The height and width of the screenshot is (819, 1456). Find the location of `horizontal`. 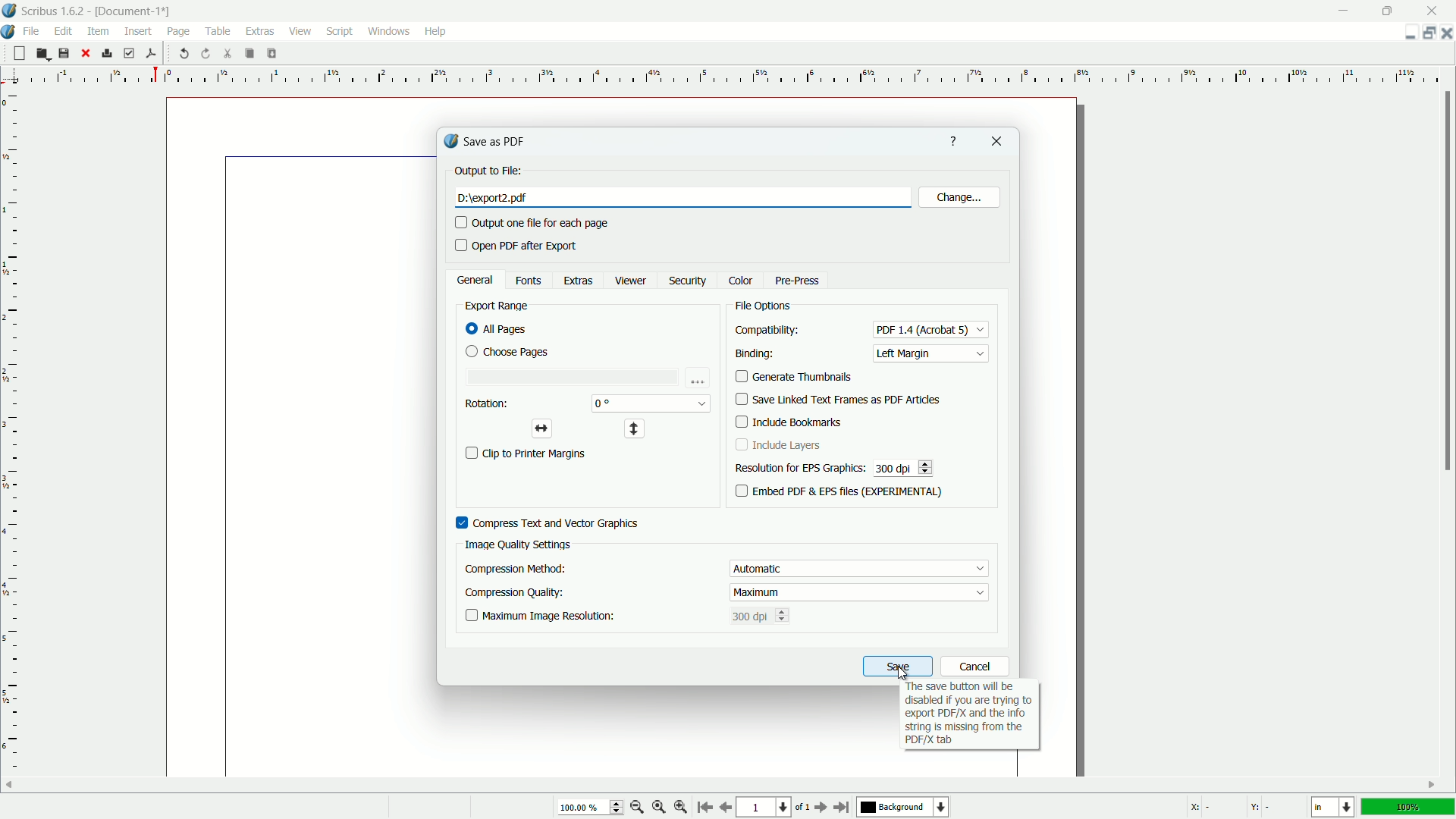

horizontal is located at coordinates (543, 429).